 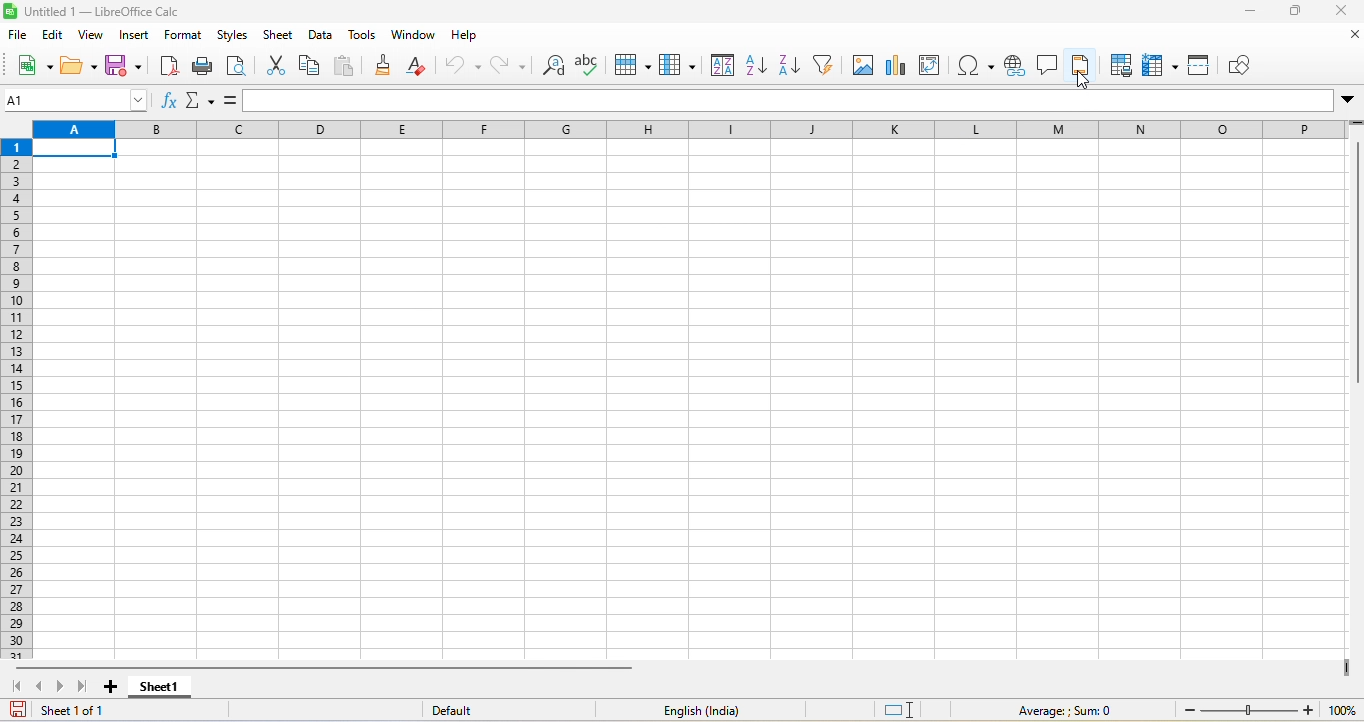 I want to click on title, so click(x=105, y=14).